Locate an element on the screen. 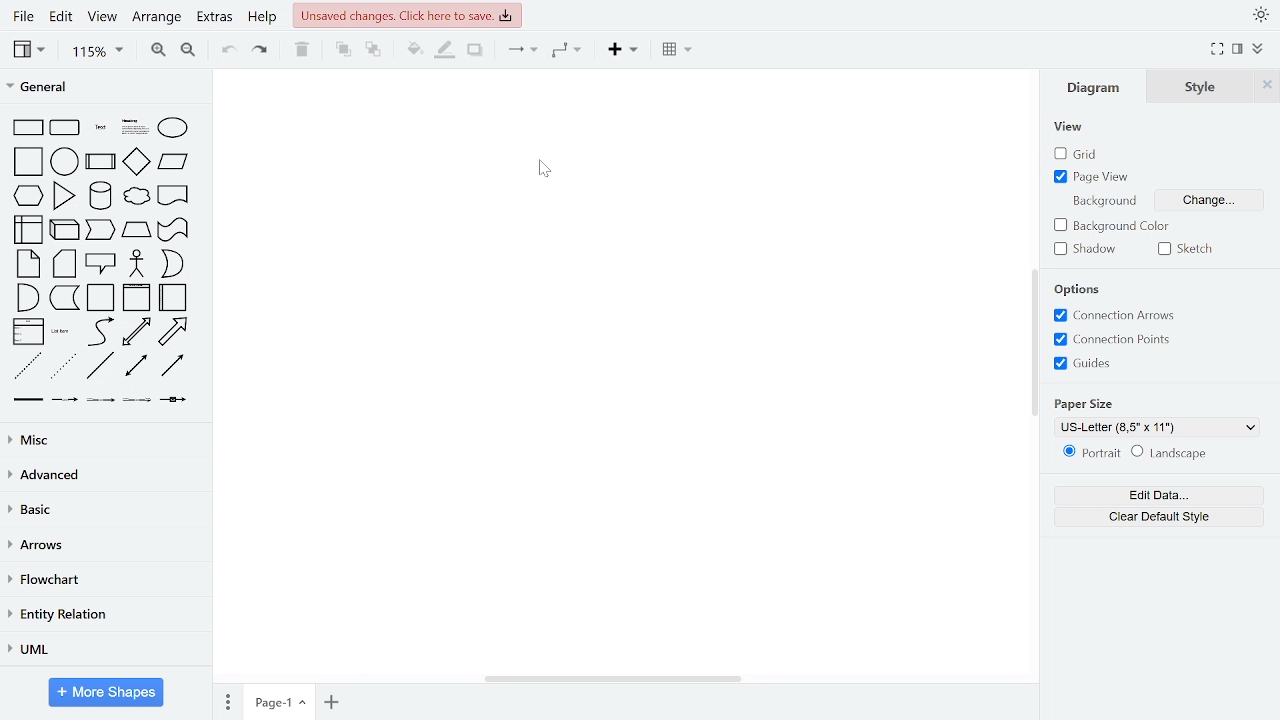  triangle is located at coordinates (65, 195).